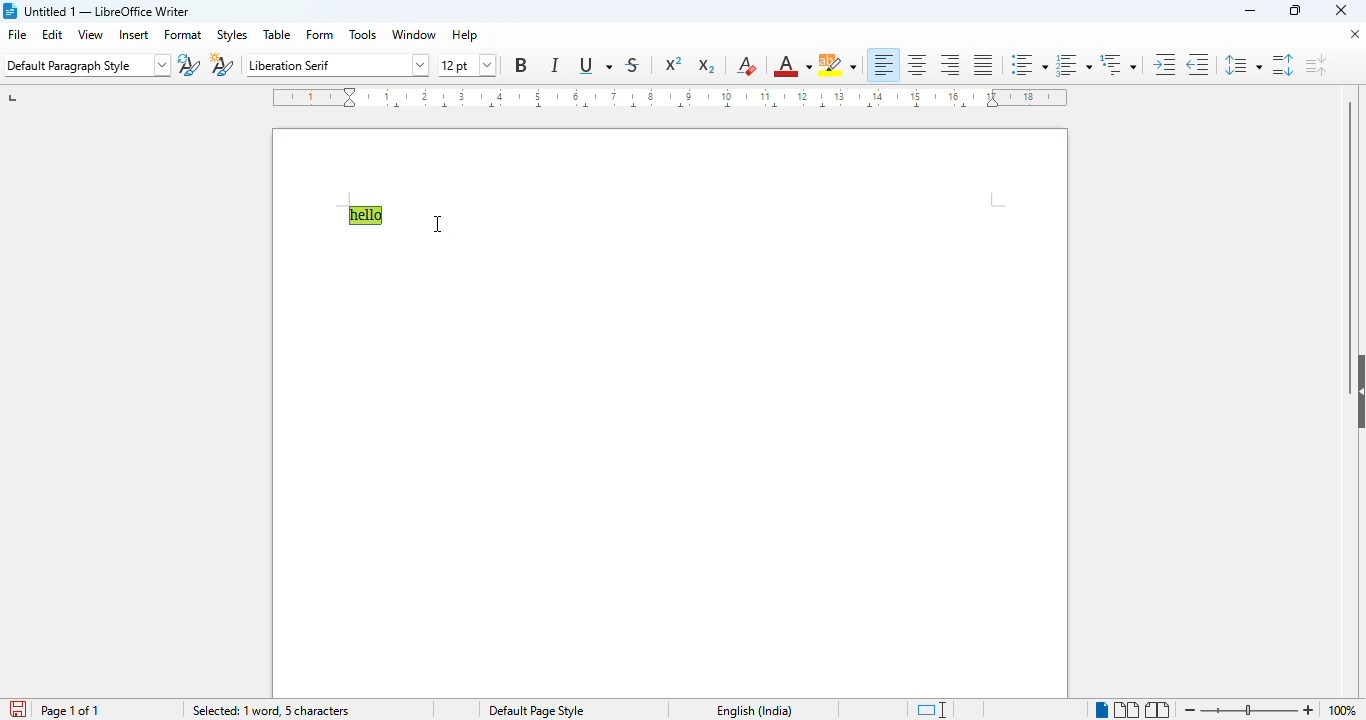 The width and height of the screenshot is (1366, 720). Describe the element at coordinates (669, 97) in the screenshot. I see `ruler` at that location.